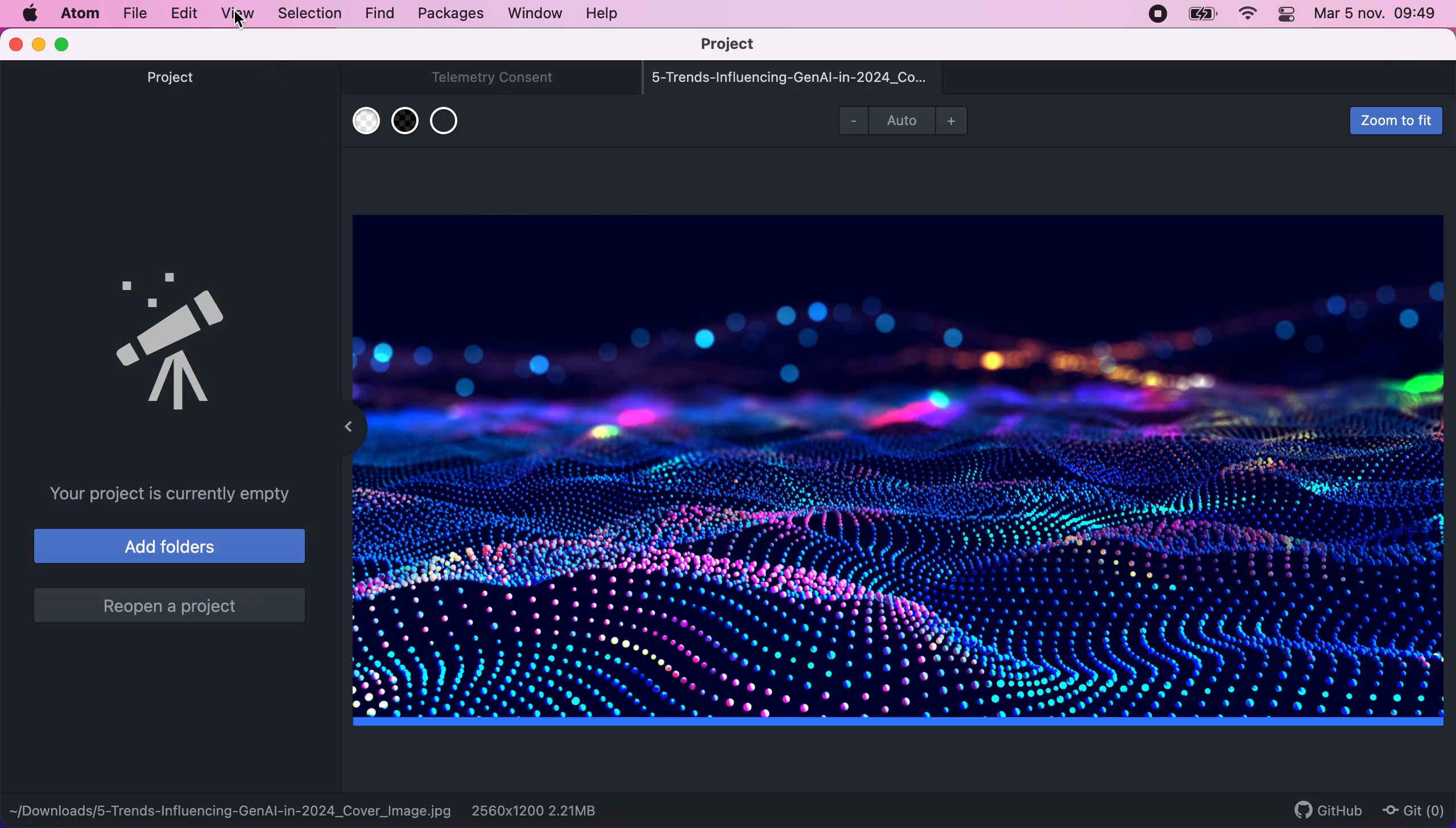  I want to click on reopen a project, so click(174, 603).